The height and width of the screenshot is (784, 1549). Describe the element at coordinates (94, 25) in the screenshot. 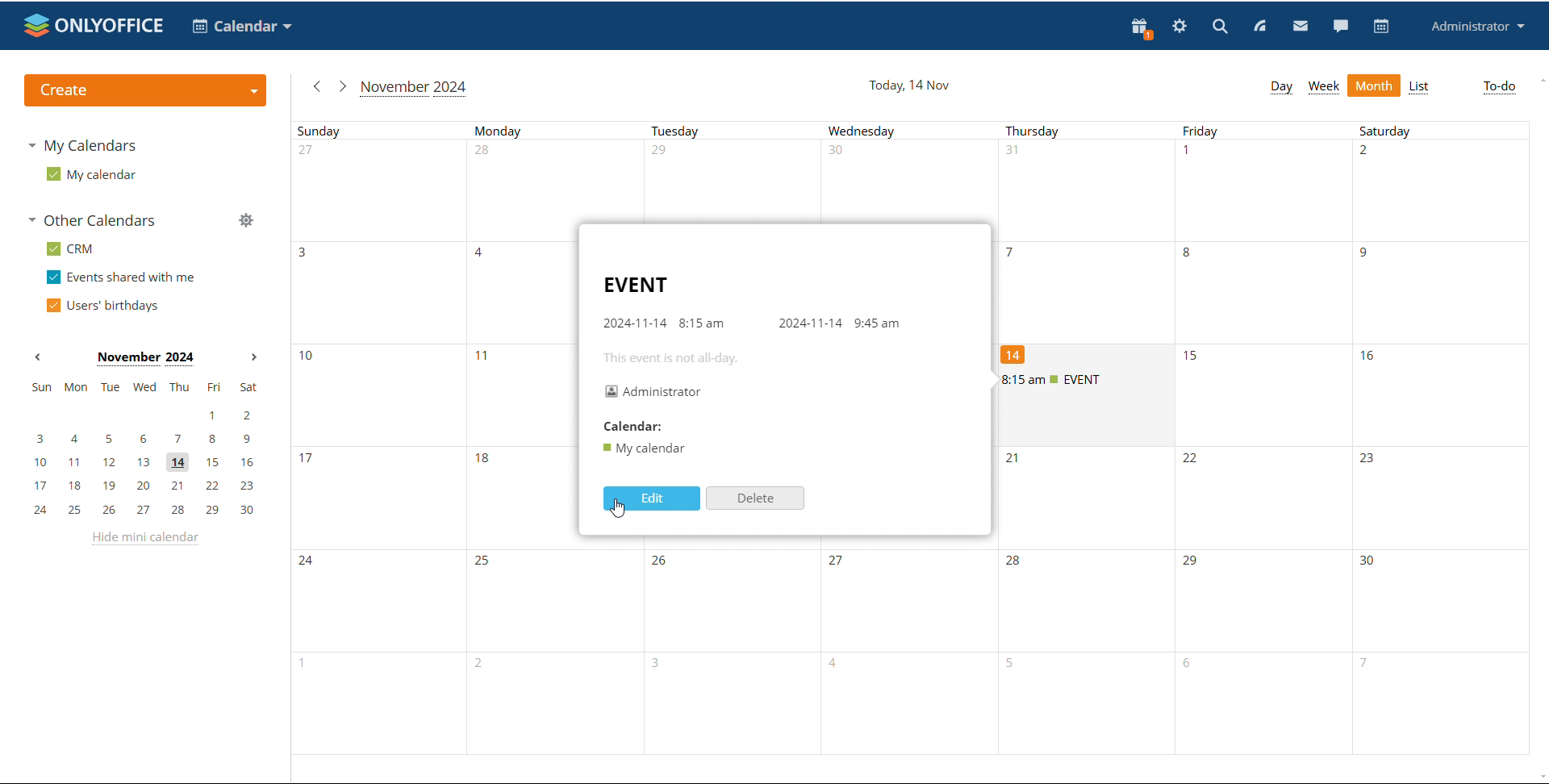

I see `logo` at that location.